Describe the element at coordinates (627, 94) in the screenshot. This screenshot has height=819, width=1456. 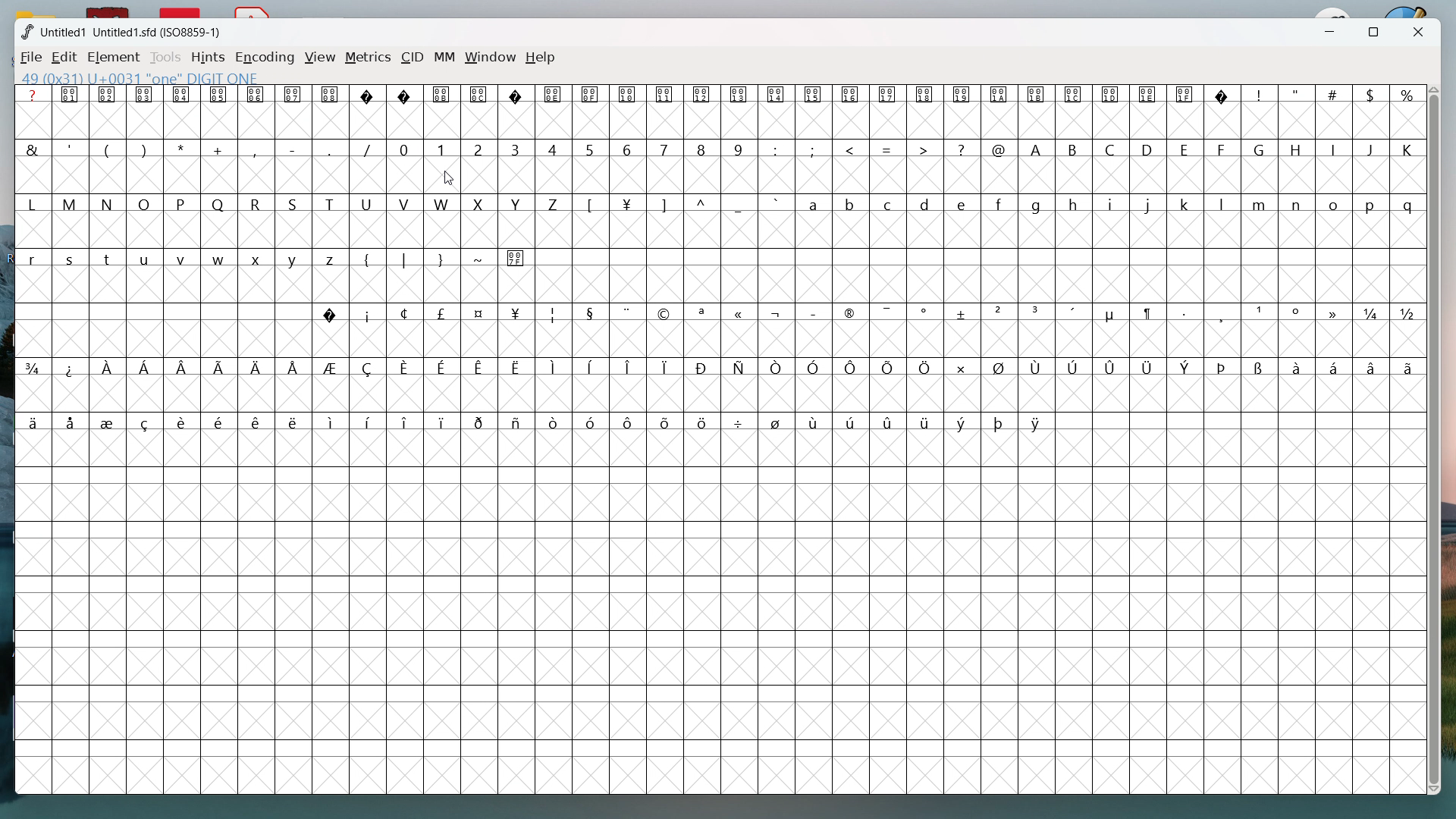
I see `symbol` at that location.